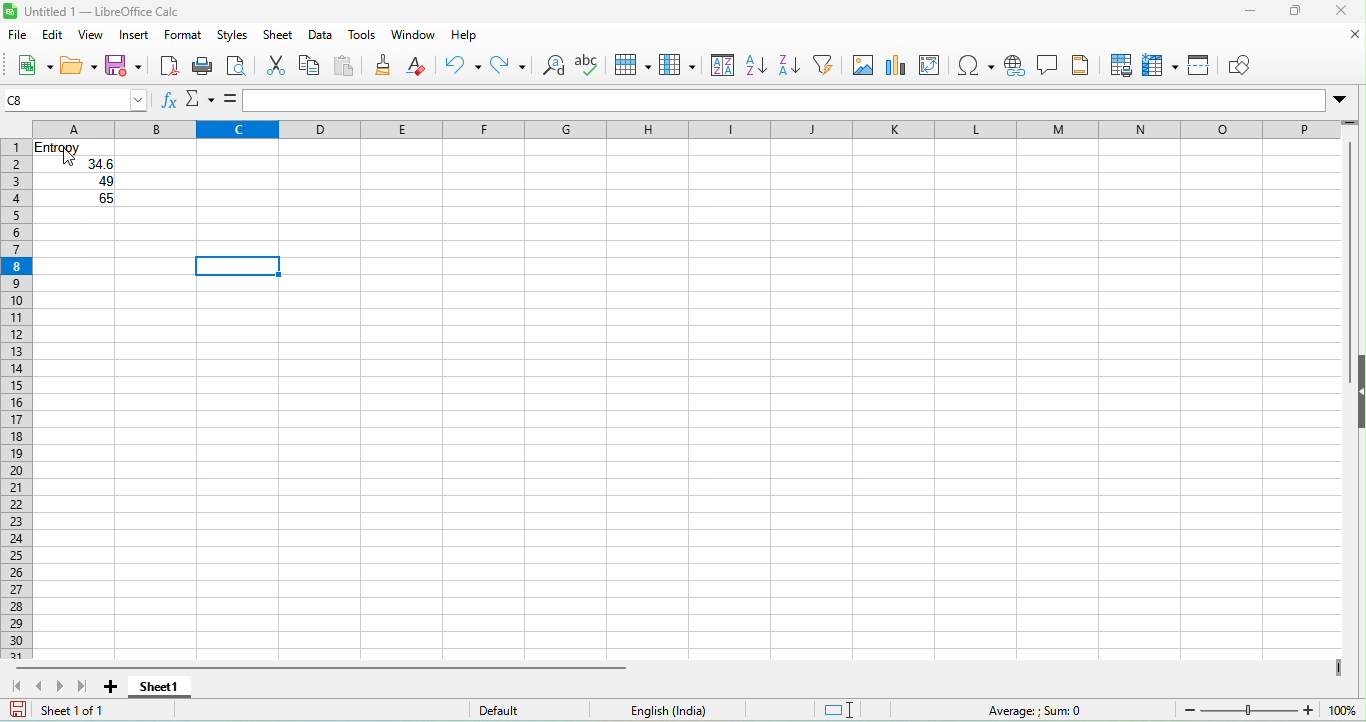 The width and height of the screenshot is (1366, 722). What do you see at coordinates (203, 102) in the screenshot?
I see `select function` at bounding box center [203, 102].